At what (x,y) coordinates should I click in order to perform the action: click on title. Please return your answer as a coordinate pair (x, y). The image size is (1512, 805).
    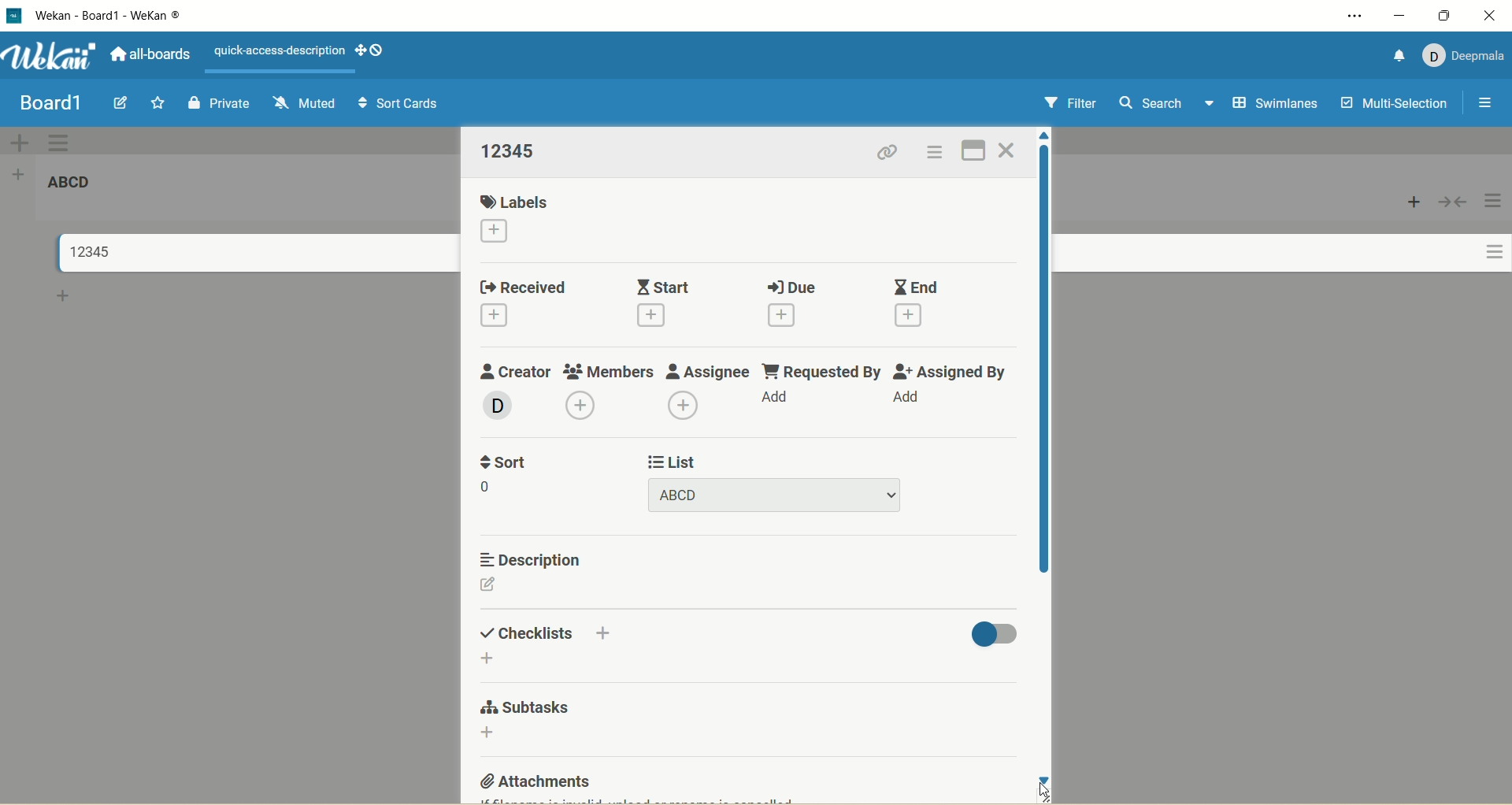
    Looking at the image, I should click on (136, 16).